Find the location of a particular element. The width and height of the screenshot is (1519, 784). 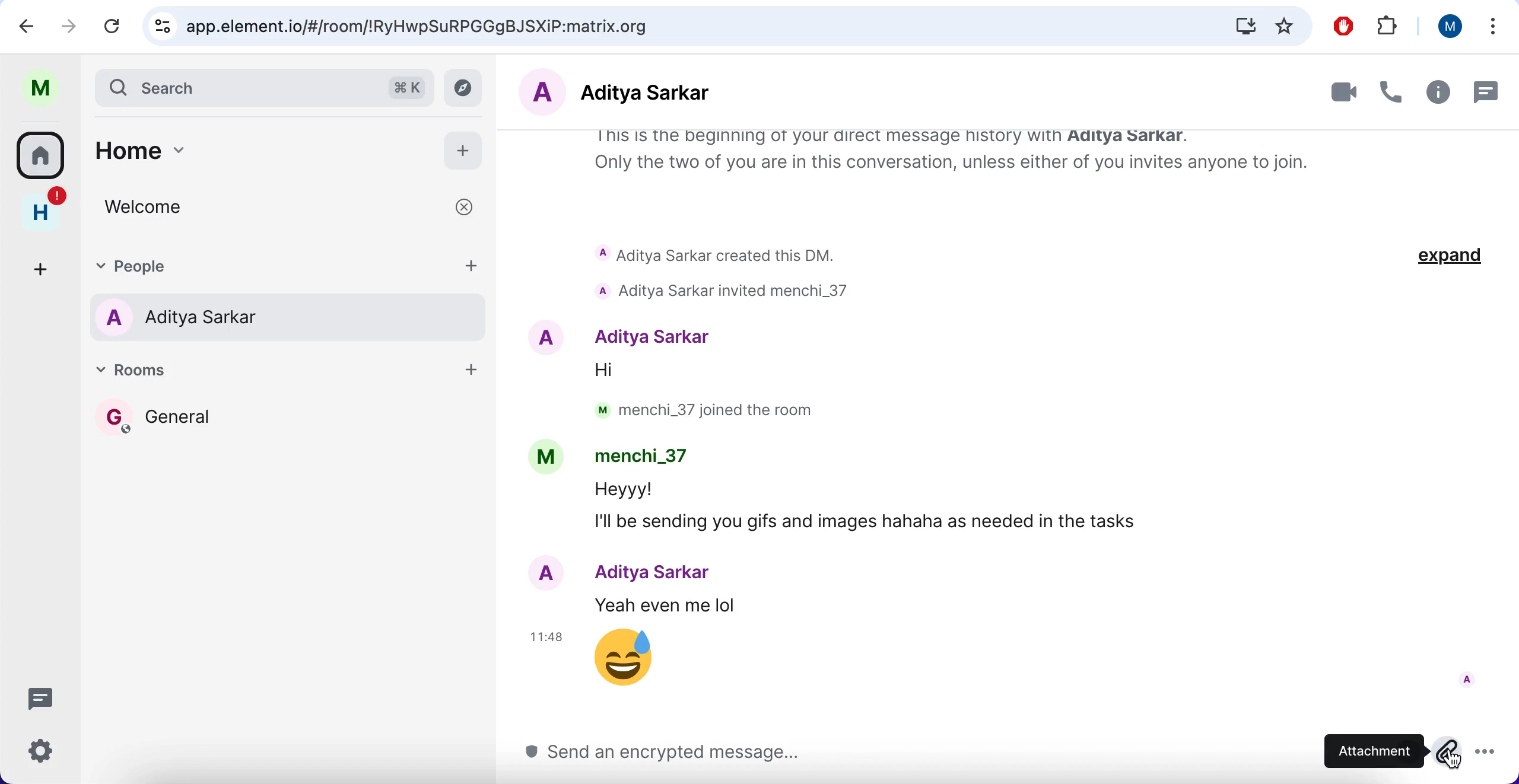

add is located at coordinates (466, 152).